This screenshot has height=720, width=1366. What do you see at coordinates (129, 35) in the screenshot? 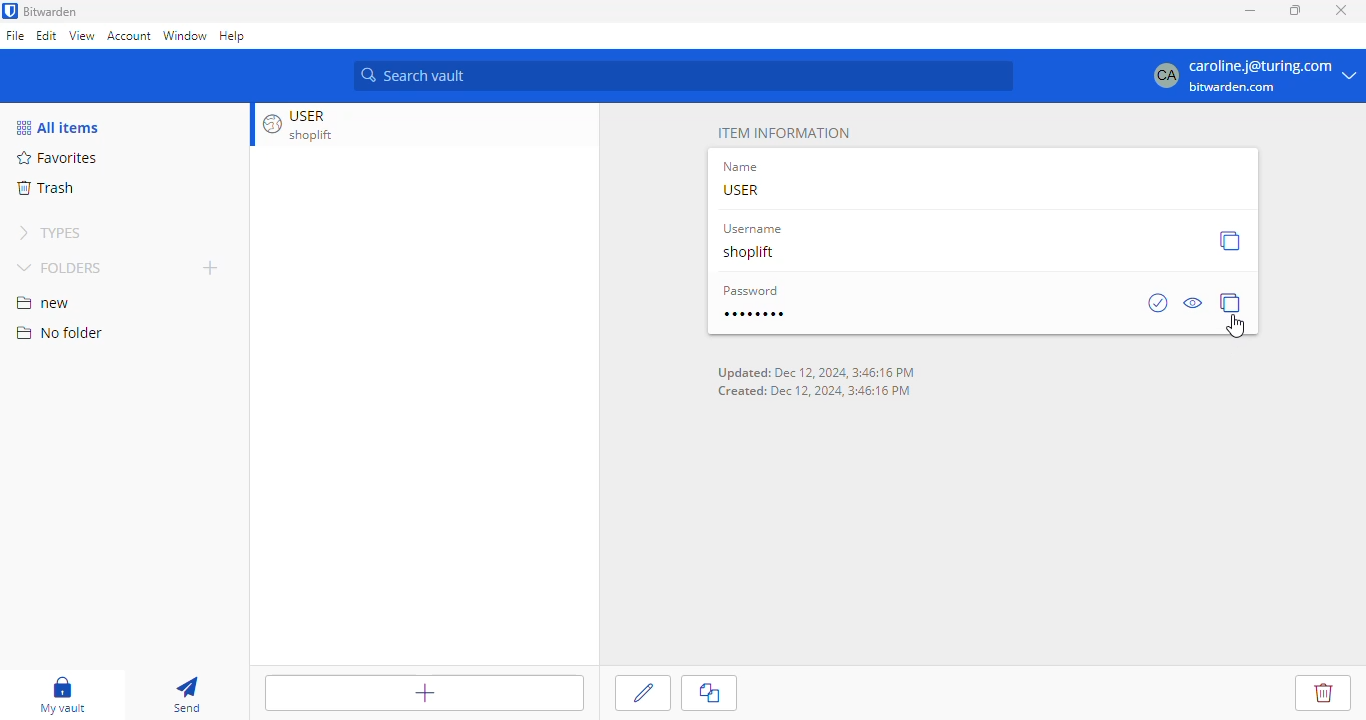
I see `account` at bounding box center [129, 35].